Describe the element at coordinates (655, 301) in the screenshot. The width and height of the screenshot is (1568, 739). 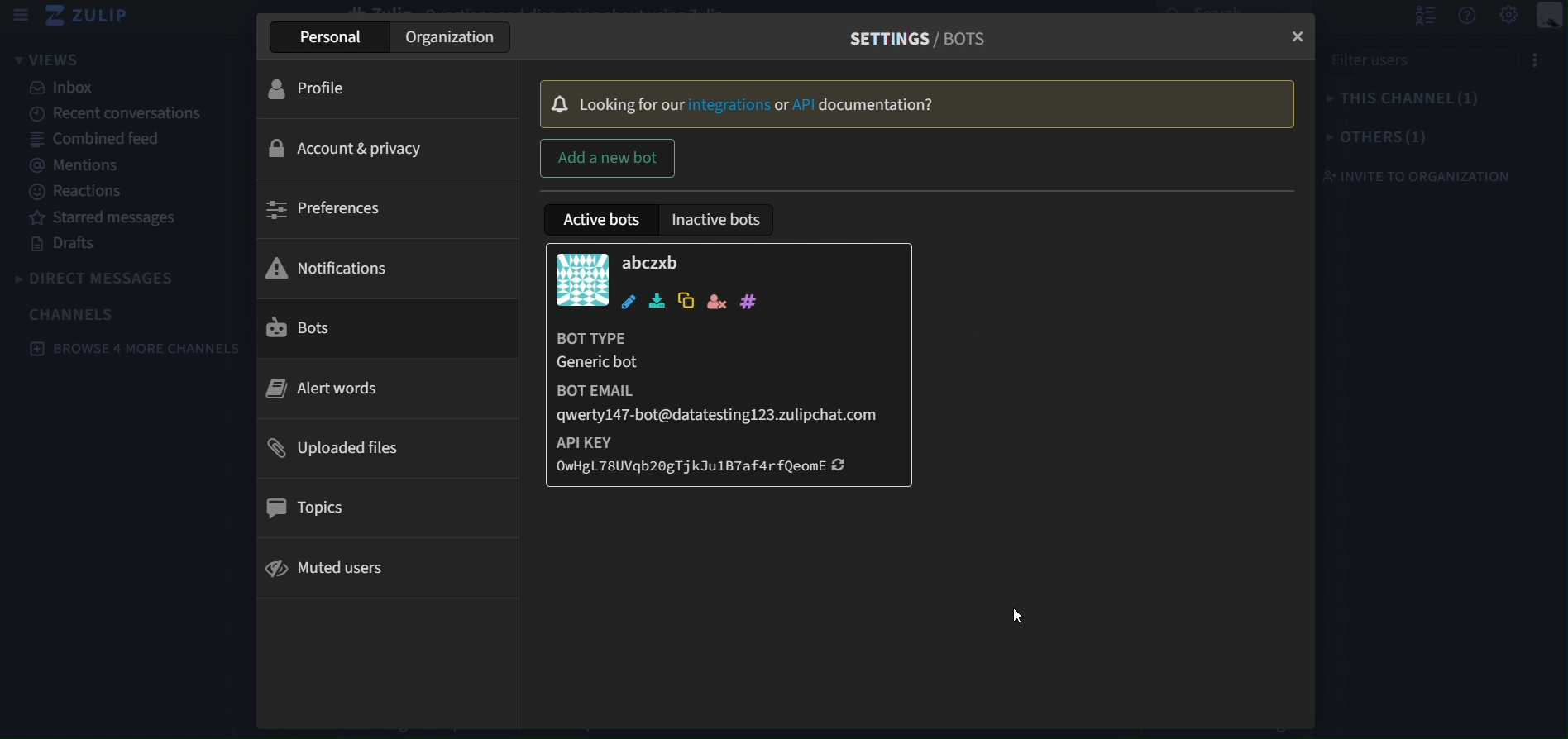
I see `download zuliprc` at that location.